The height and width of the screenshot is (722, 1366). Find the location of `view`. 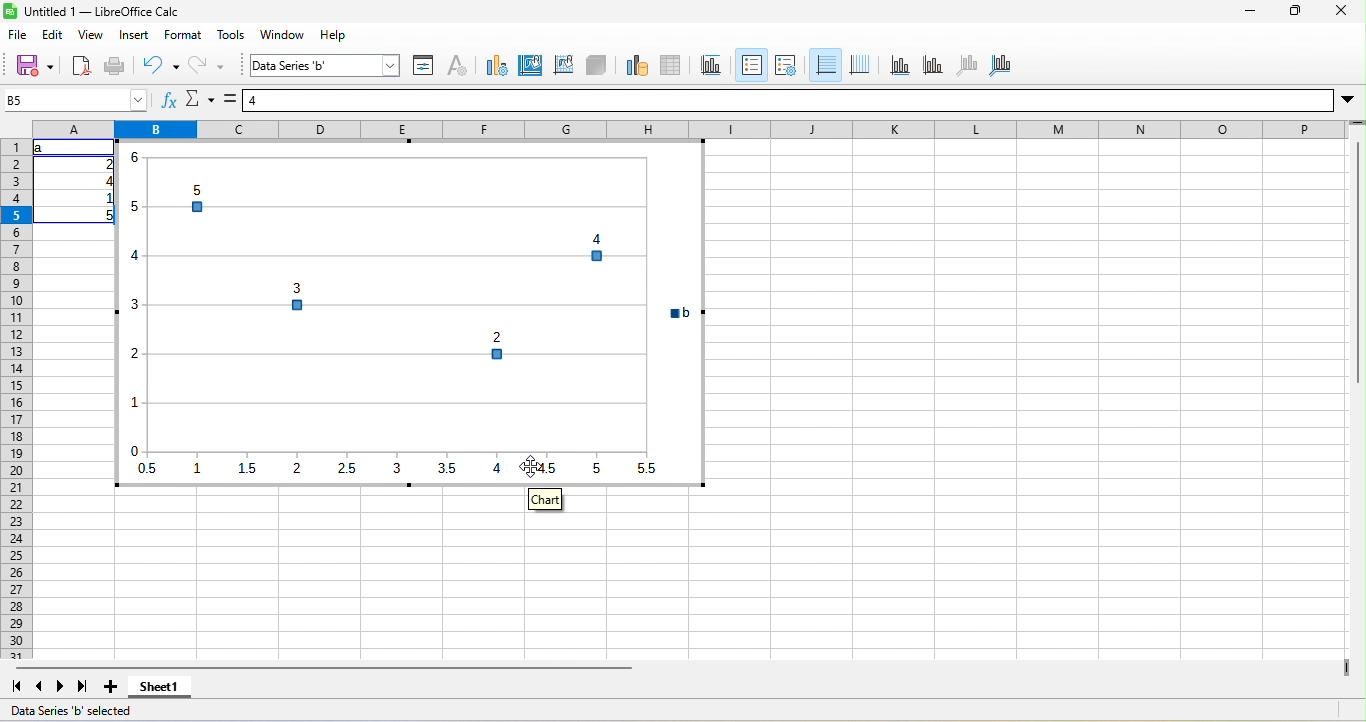

view is located at coordinates (91, 35).